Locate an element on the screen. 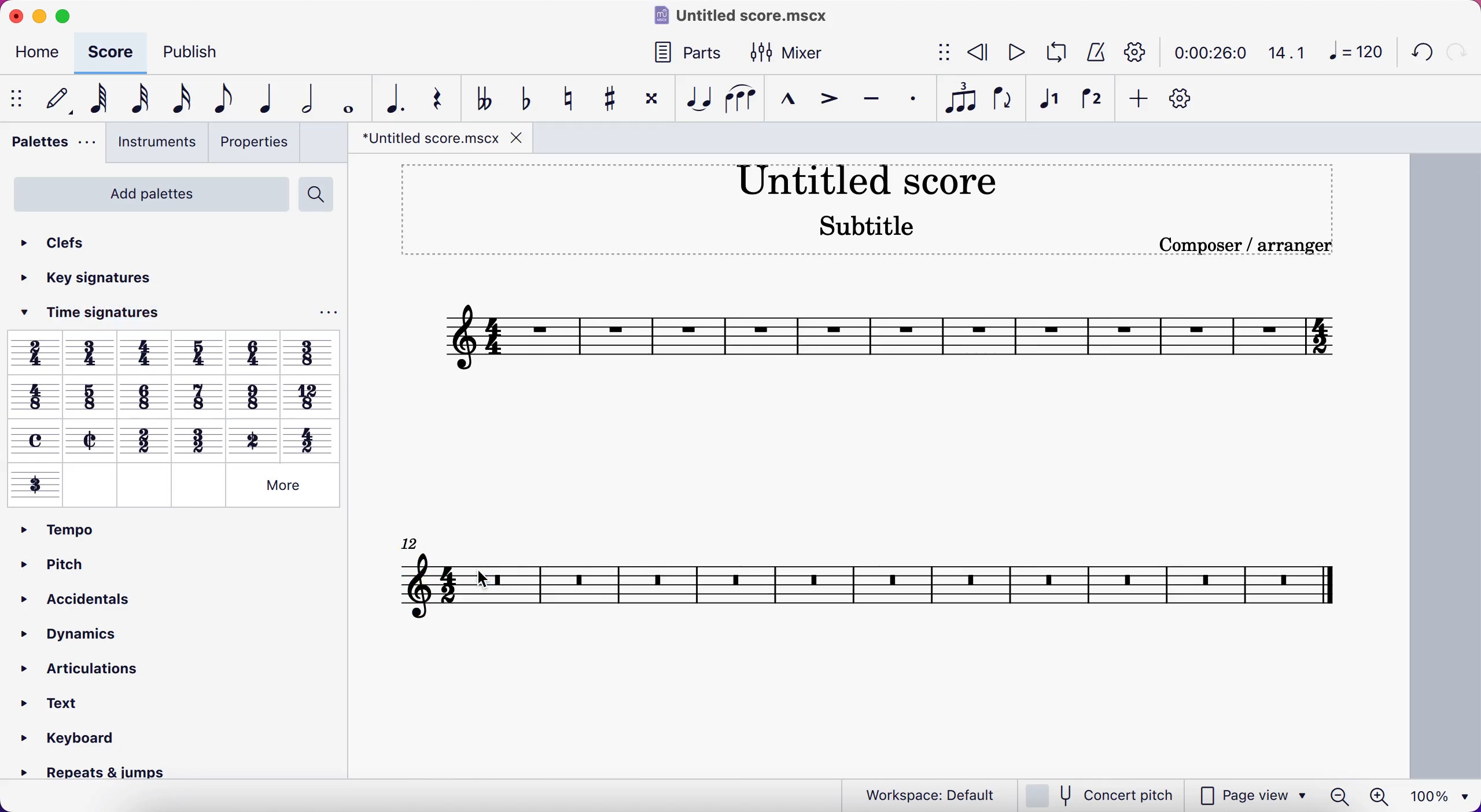   is located at coordinates (90, 395).